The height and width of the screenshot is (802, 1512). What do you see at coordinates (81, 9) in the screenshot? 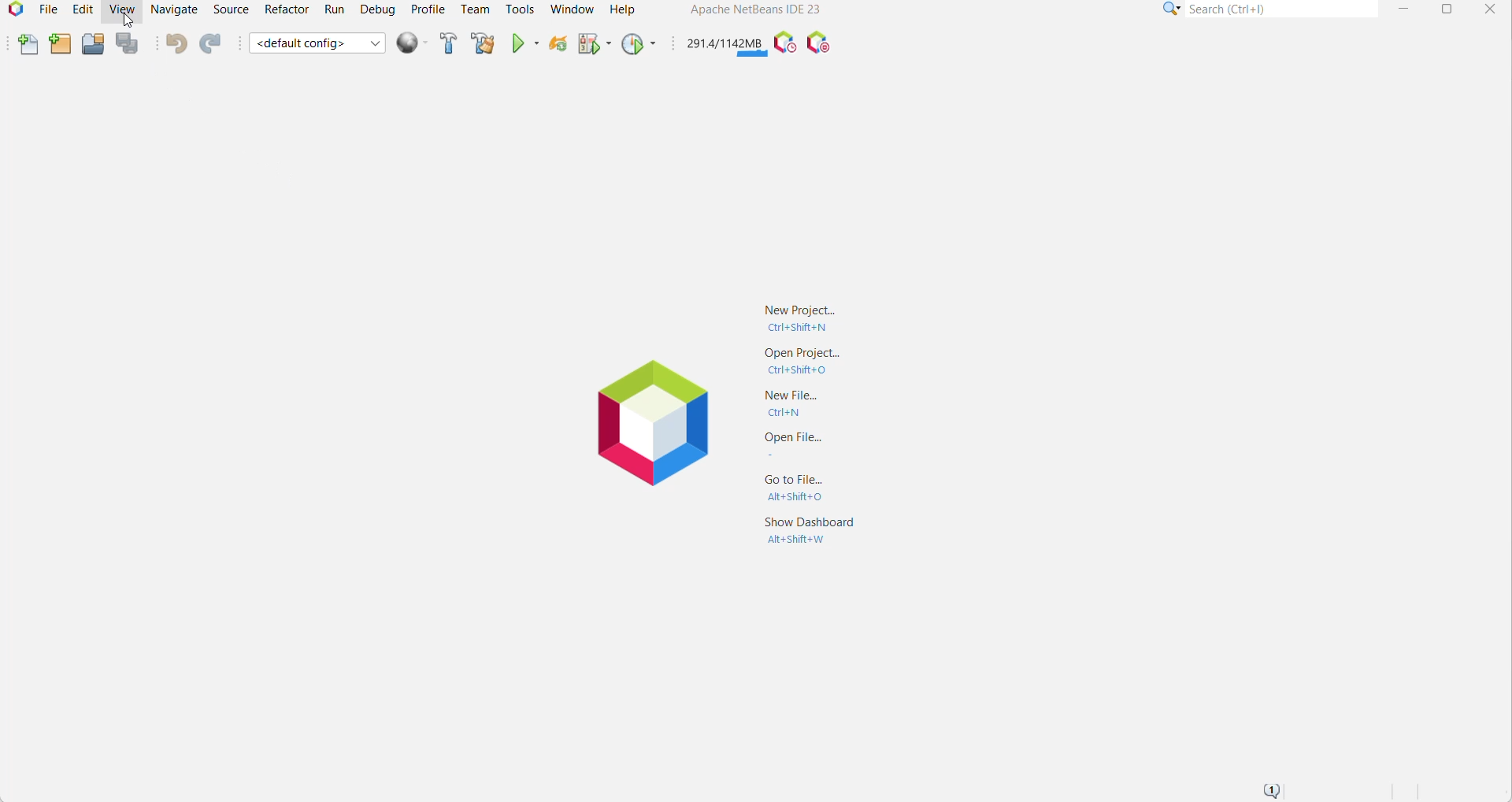
I see `Edit` at bounding box center [81, 9].